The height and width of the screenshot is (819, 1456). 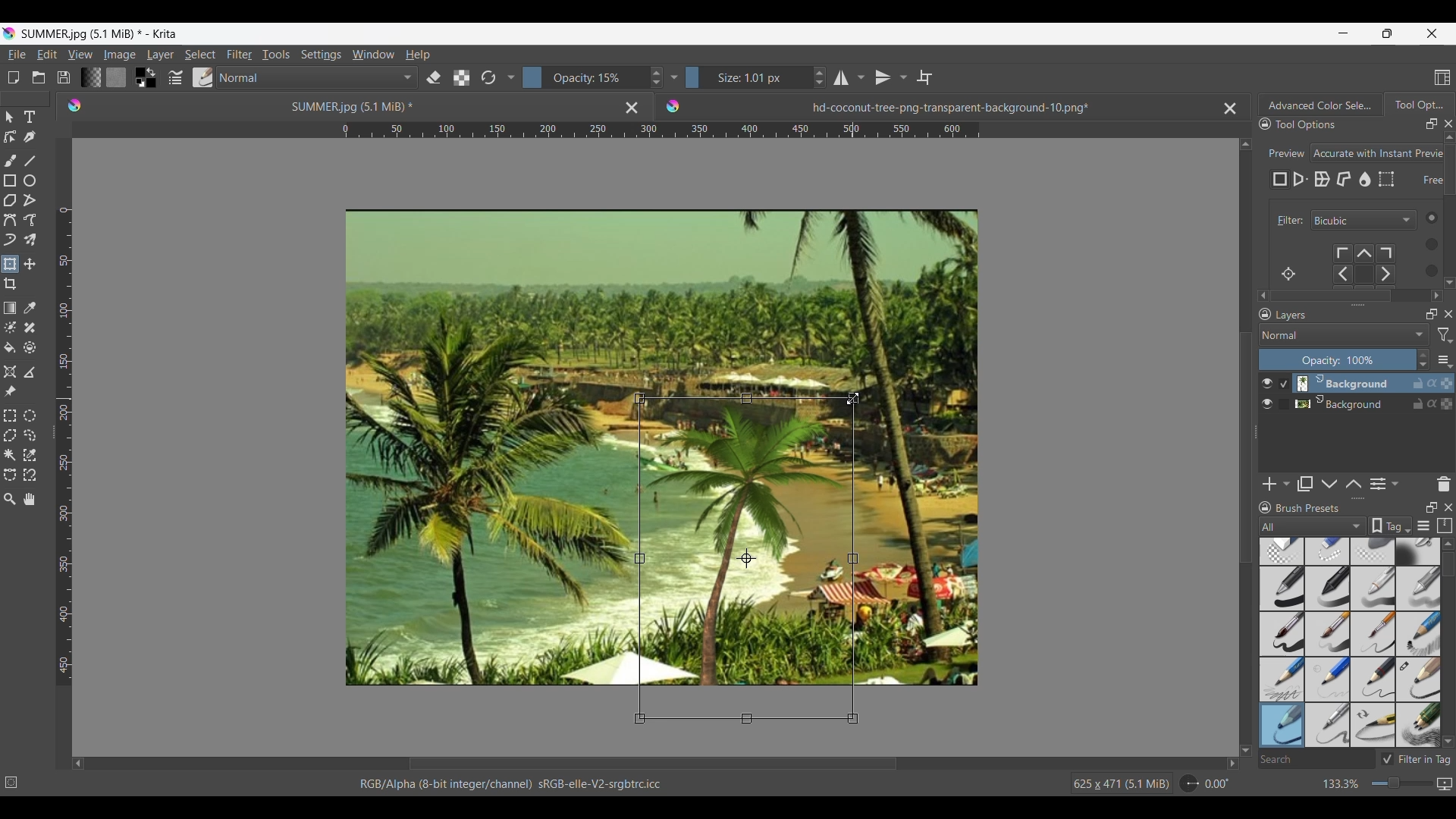 I want to click on Float Brush Presets panel, so click(x=1432, y=507).